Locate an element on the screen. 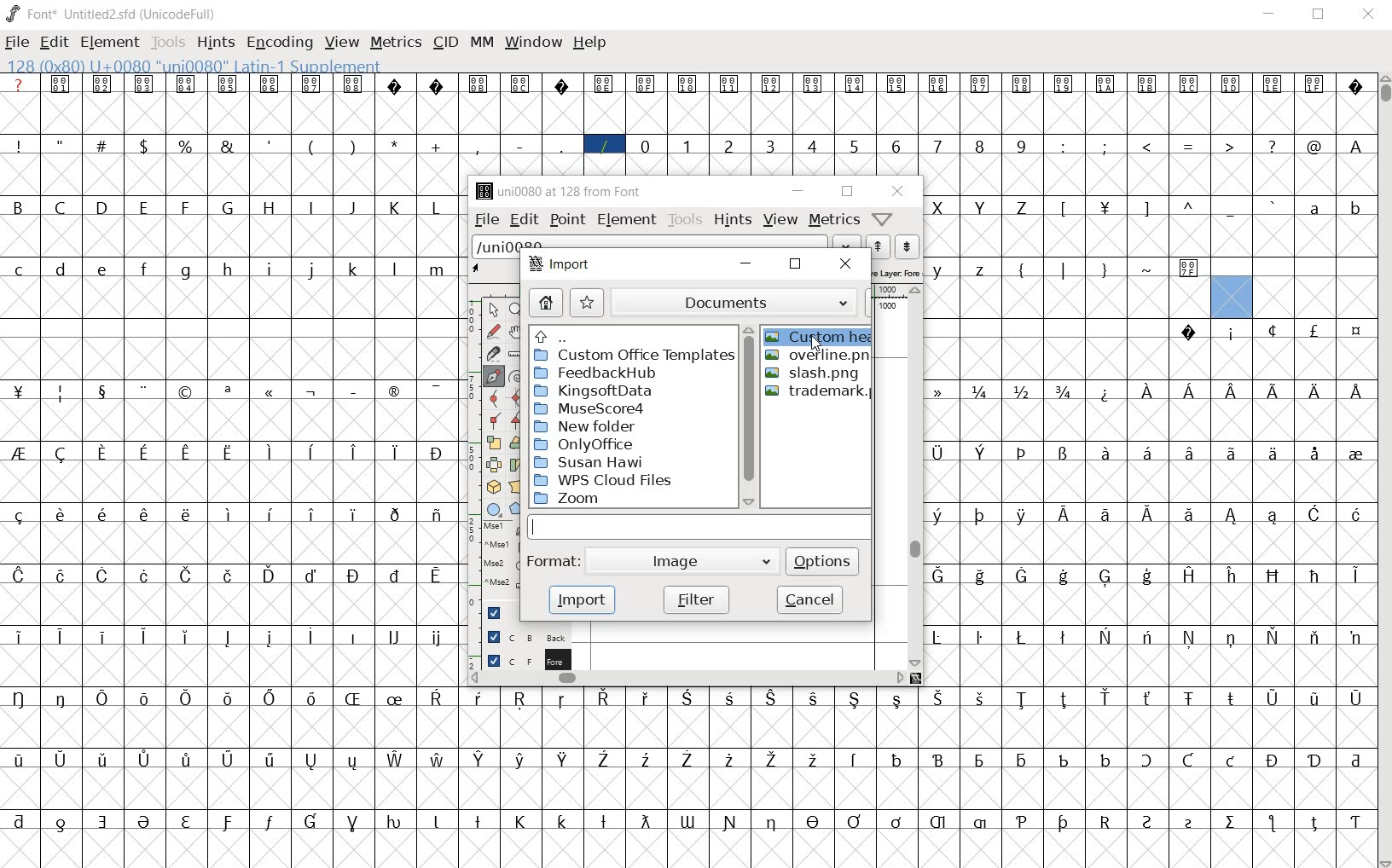 The image size is (1392, 868). glyph is located at coordinates (311, 698).